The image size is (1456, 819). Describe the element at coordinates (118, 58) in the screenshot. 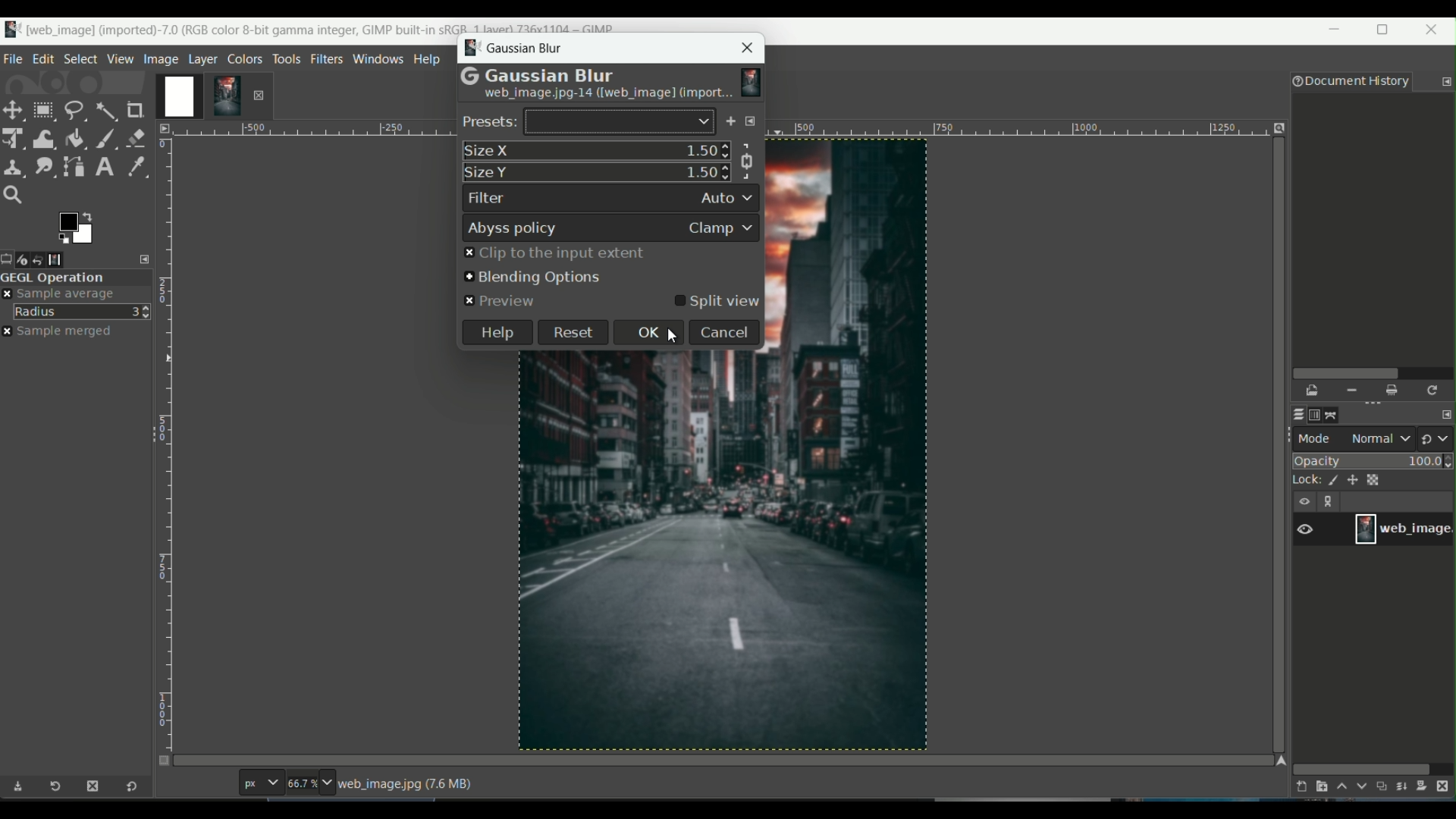

I see `view tab` at that location.